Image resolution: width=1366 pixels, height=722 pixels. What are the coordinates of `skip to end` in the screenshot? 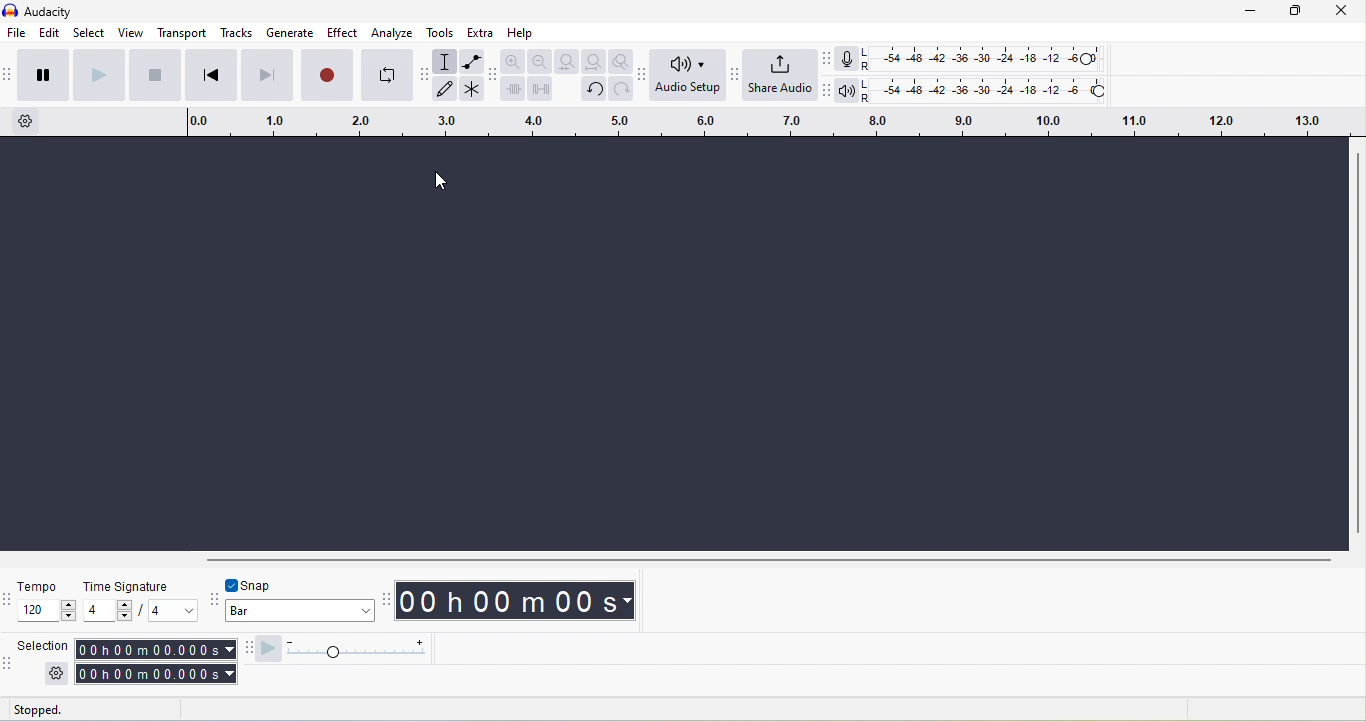 It's located at (267, 75).